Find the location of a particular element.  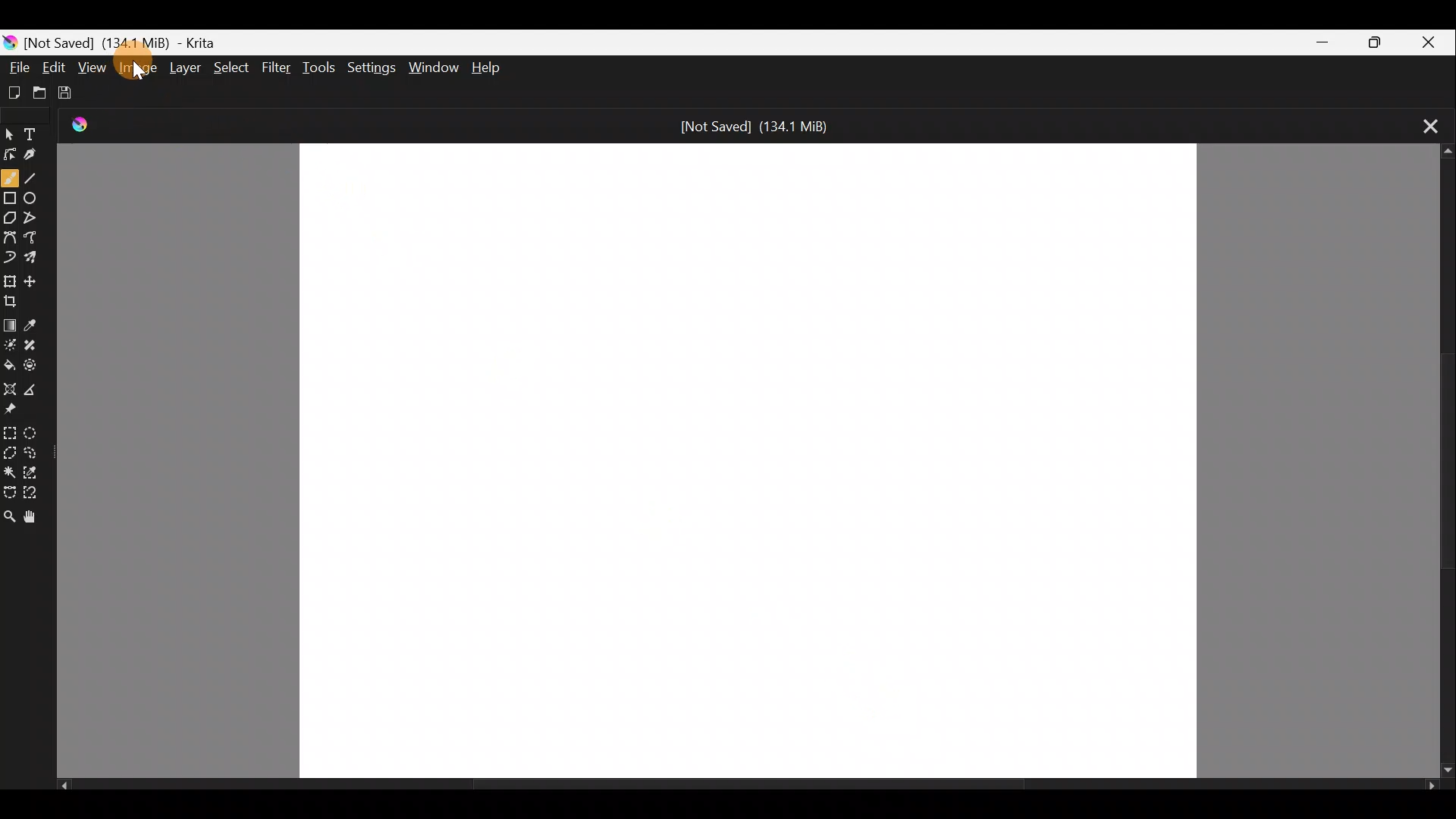

Freehand brush tool is located at coordinates (10, 177).